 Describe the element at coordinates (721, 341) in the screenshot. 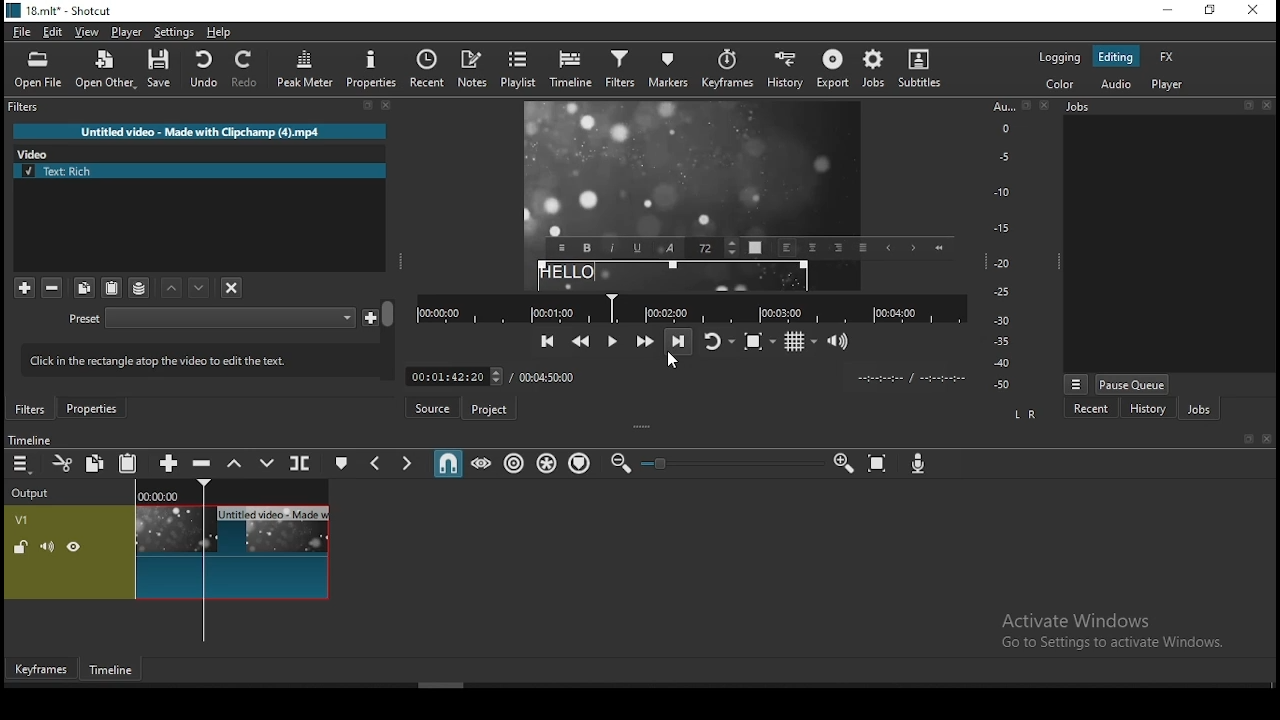

I see `toggle player looping` at that location.